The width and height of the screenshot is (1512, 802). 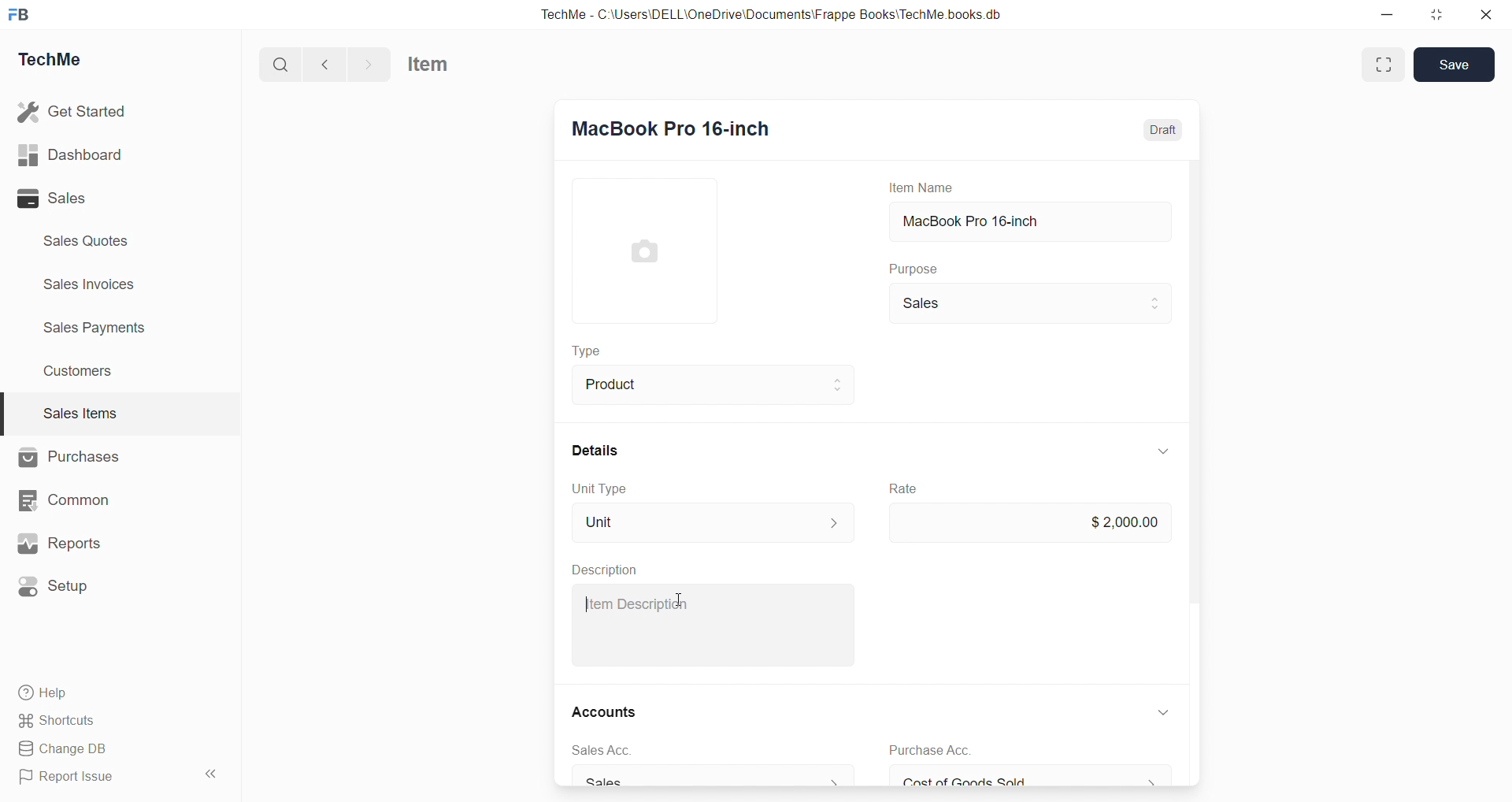 What do you see at coordinates (603, 711) in the screenshot?
I see `Accounts` at bounding box center [603, 711].